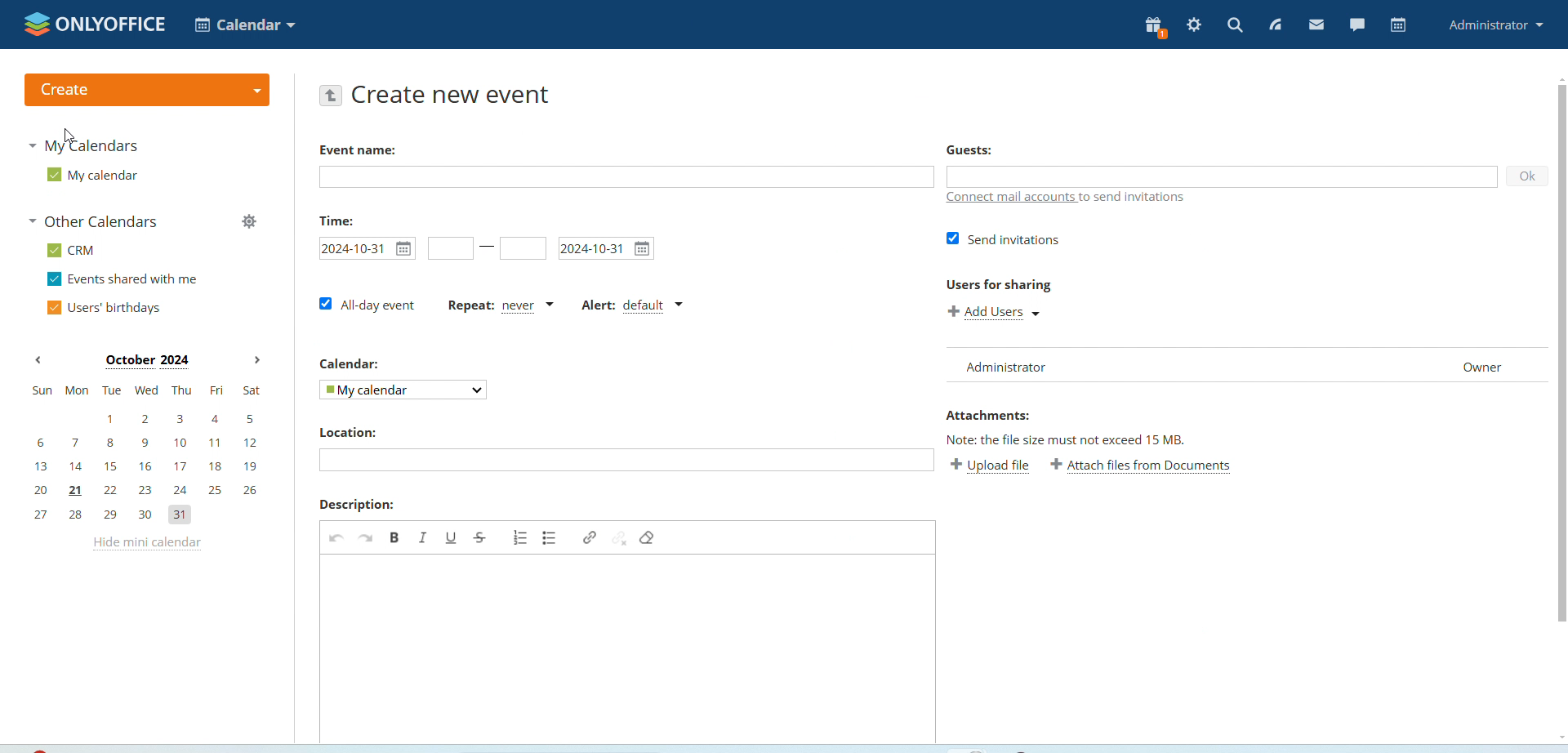 Image resolution: width=1568 pixels, height=753 pixels. What do you see at coordinates (1497, 25) in the screenshot?
I see `administrator` at bounding box center [1497, 25].